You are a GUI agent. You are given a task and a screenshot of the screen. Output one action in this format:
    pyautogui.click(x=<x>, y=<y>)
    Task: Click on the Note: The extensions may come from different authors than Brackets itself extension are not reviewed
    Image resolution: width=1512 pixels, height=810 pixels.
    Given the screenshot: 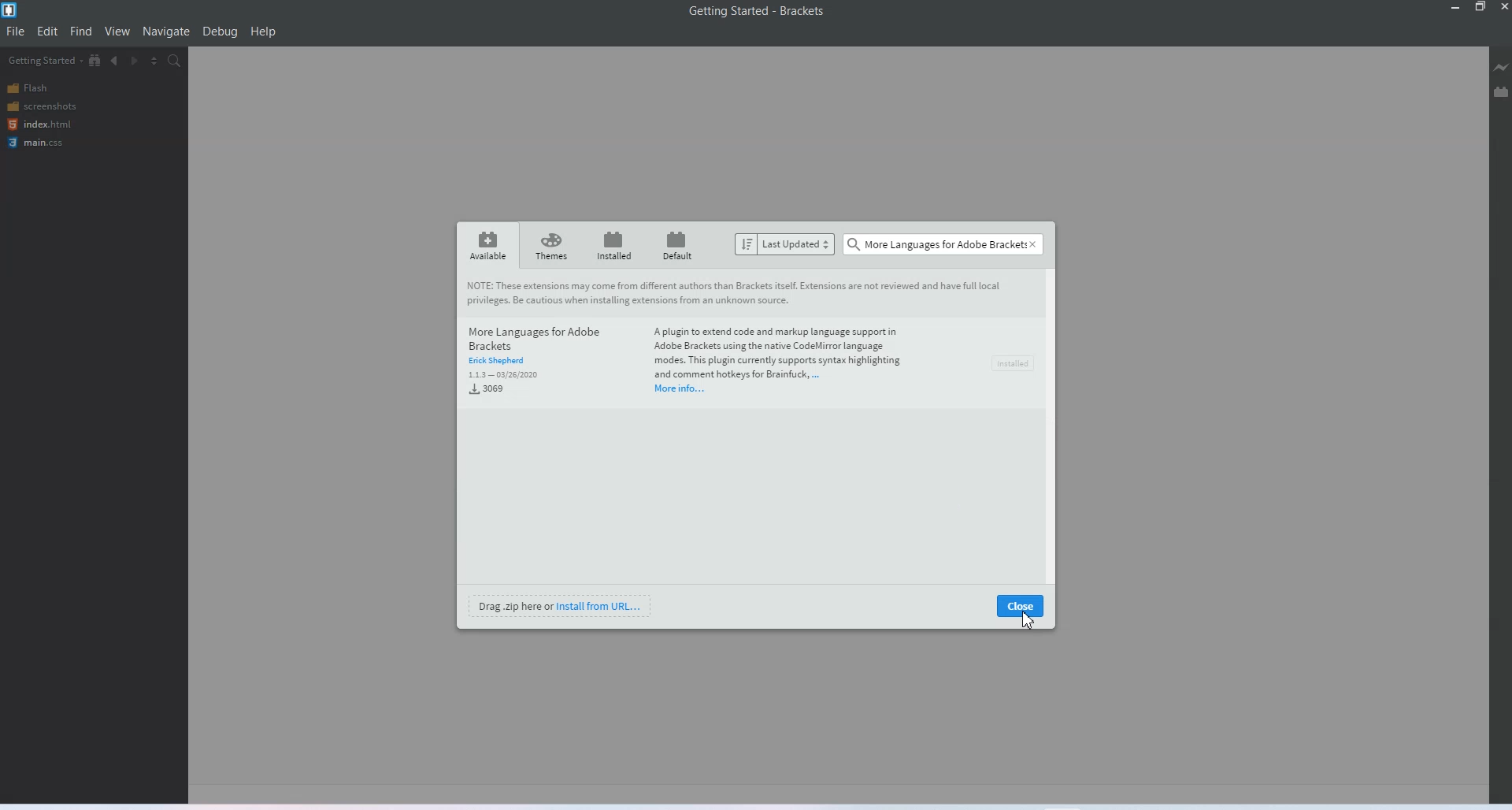 What is the action you would take?
    pyautogui.click(x=739, y=295)
    